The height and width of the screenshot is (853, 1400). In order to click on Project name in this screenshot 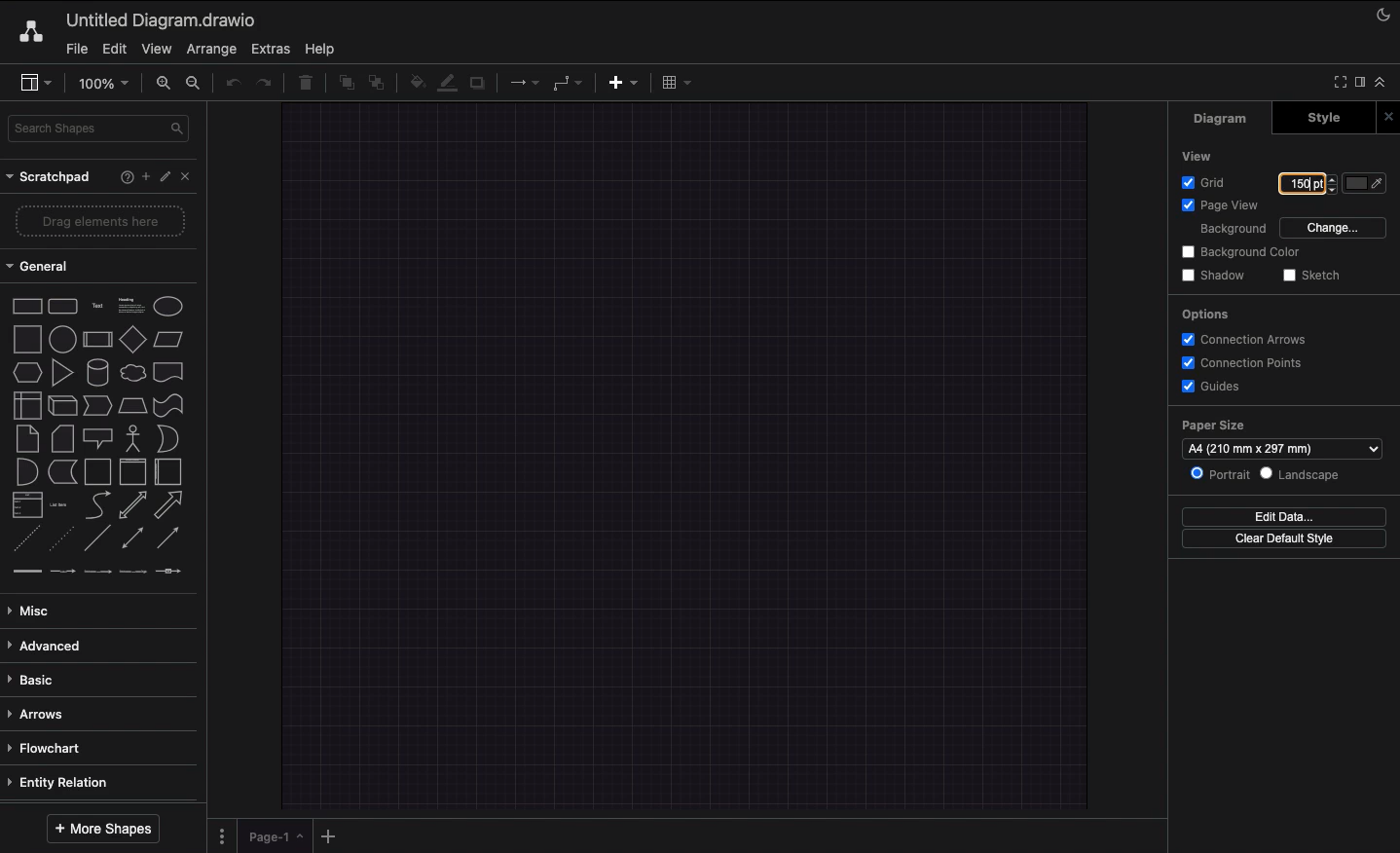, I will do `click(163, 19)`.